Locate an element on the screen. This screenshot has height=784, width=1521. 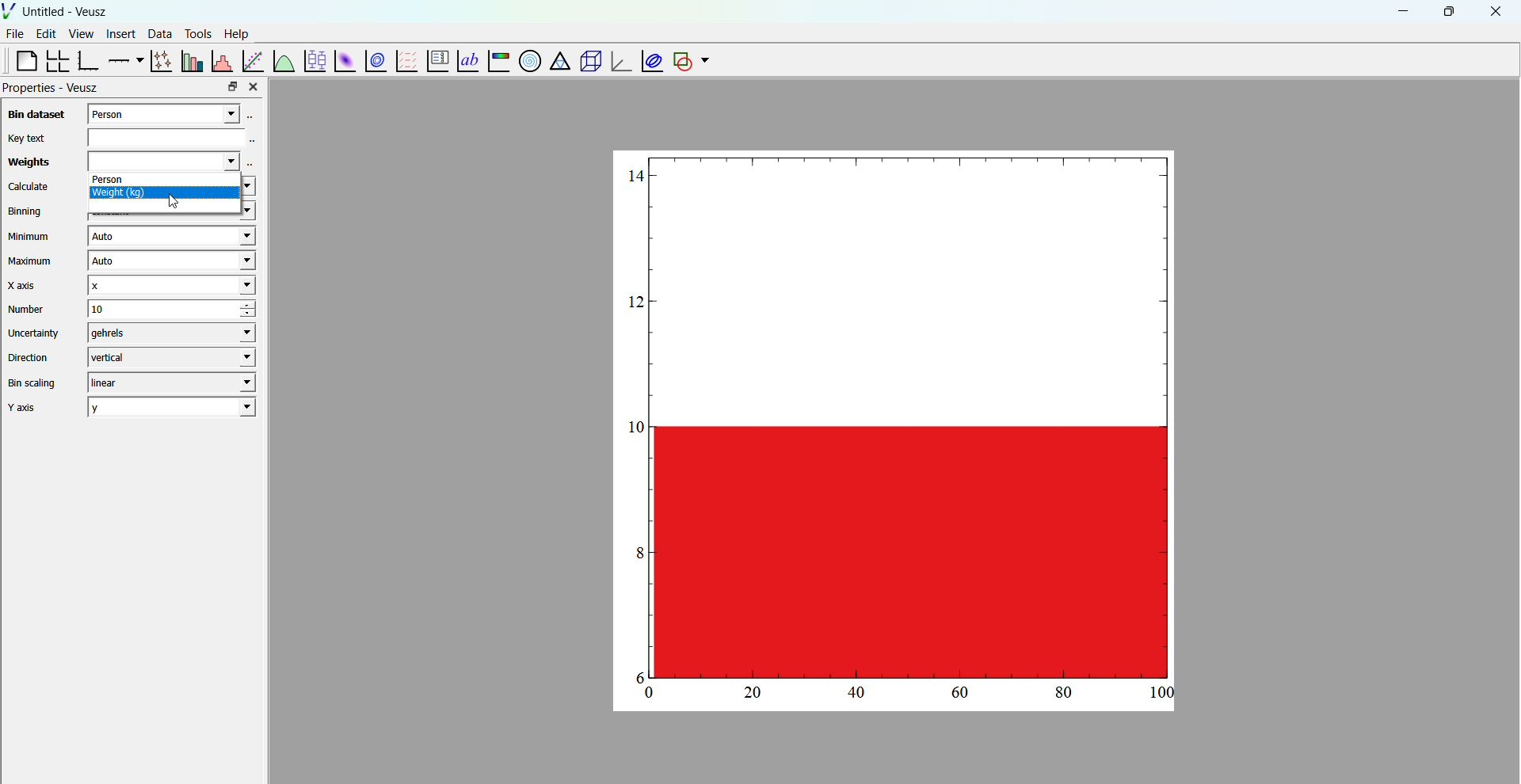
Calculate is located at coordinates (29, 188).